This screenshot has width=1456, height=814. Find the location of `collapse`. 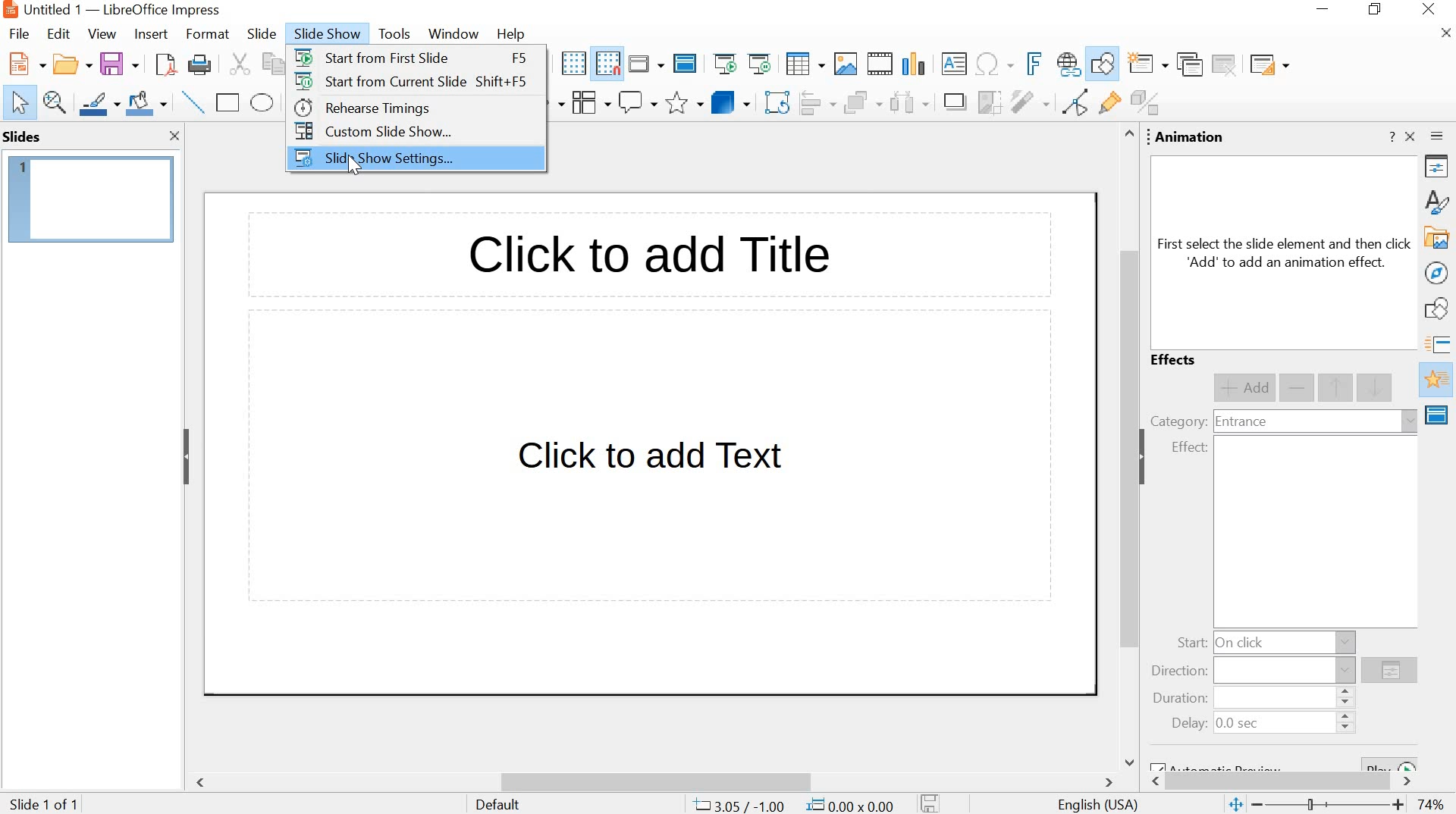

collapse is located at coordinates (1147, 457).